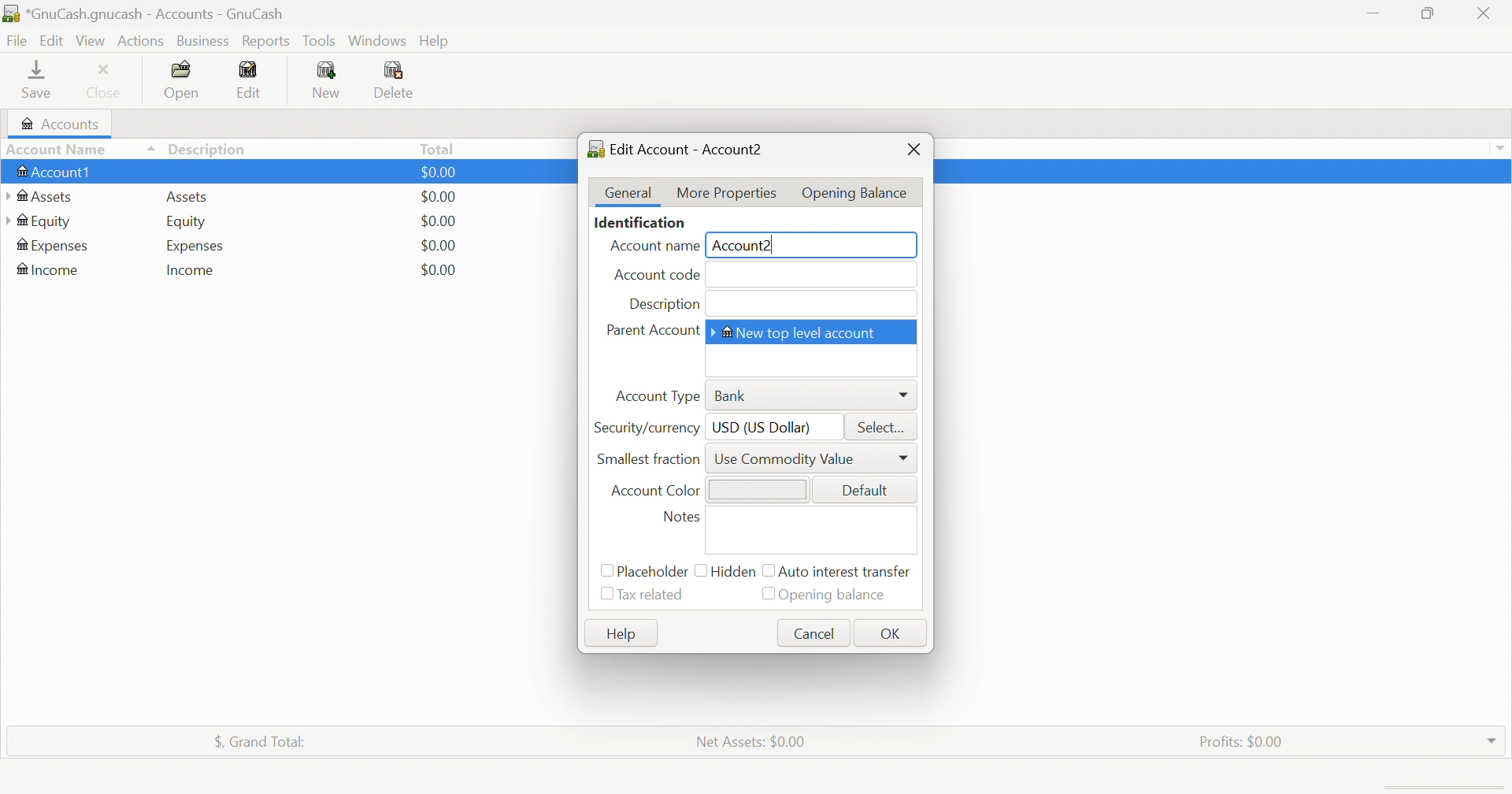 The width and height of the screenshot is (1512, 794). I want to click on Net Assets: $0.00, so click(755, 741).